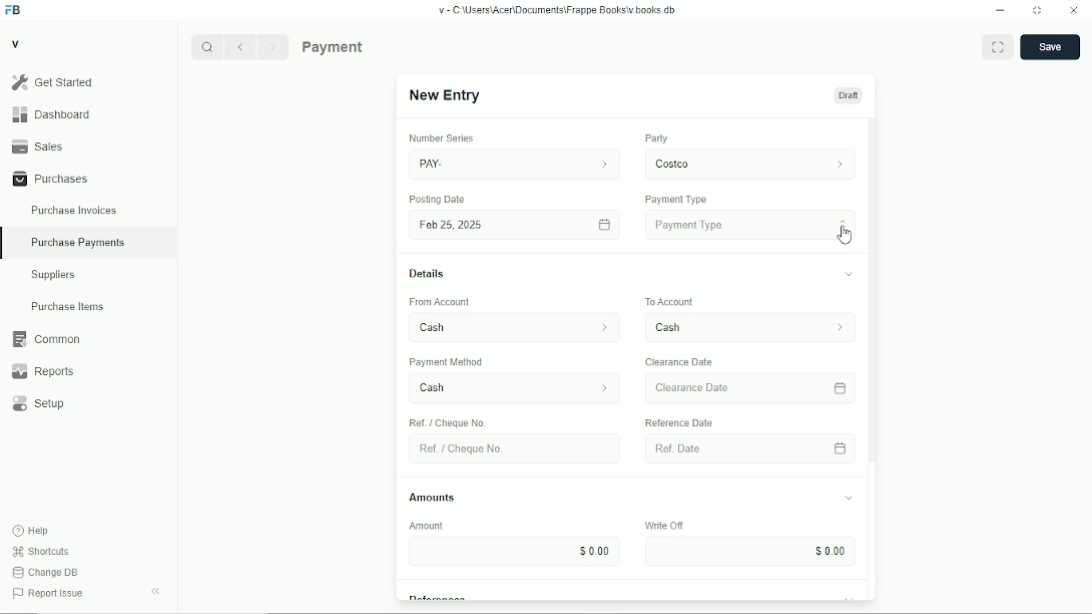 The width and height of the screenshot is (1092, 614). What do you see at coordinates (435, 526) in the screenshot?
I see `Amount` at bounding box center [435, 526].